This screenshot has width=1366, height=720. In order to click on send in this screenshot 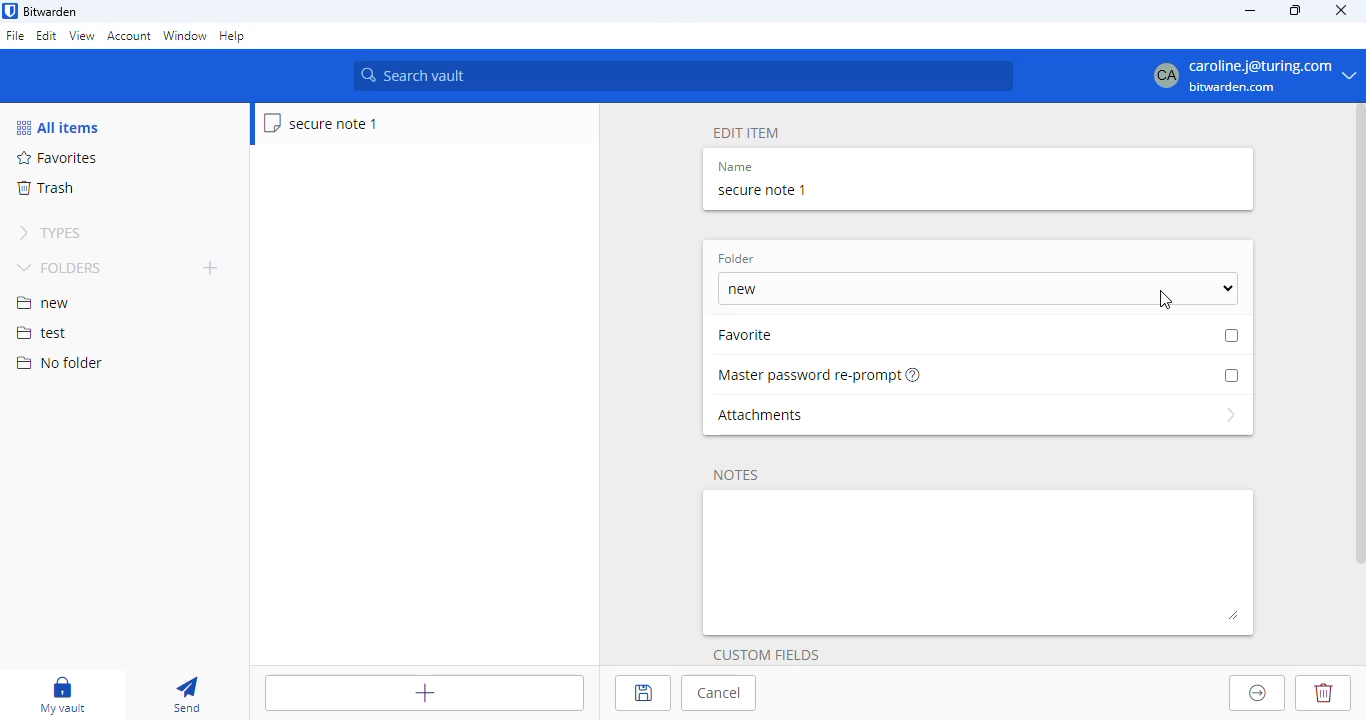, I will do `click(187, 696)`.